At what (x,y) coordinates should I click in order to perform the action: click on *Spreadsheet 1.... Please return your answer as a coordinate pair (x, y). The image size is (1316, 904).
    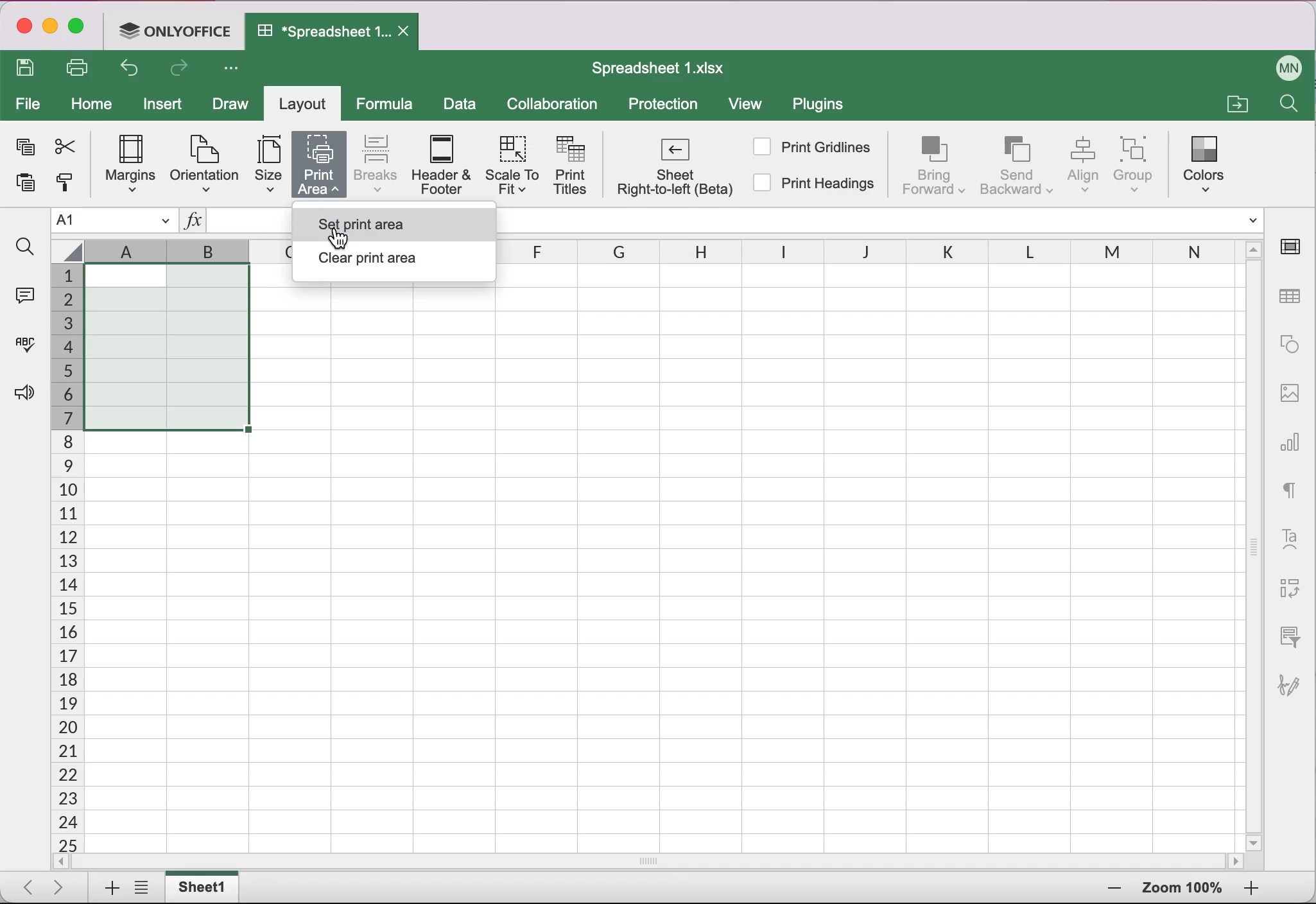
    Looking at the image, I should click on (318, 31).